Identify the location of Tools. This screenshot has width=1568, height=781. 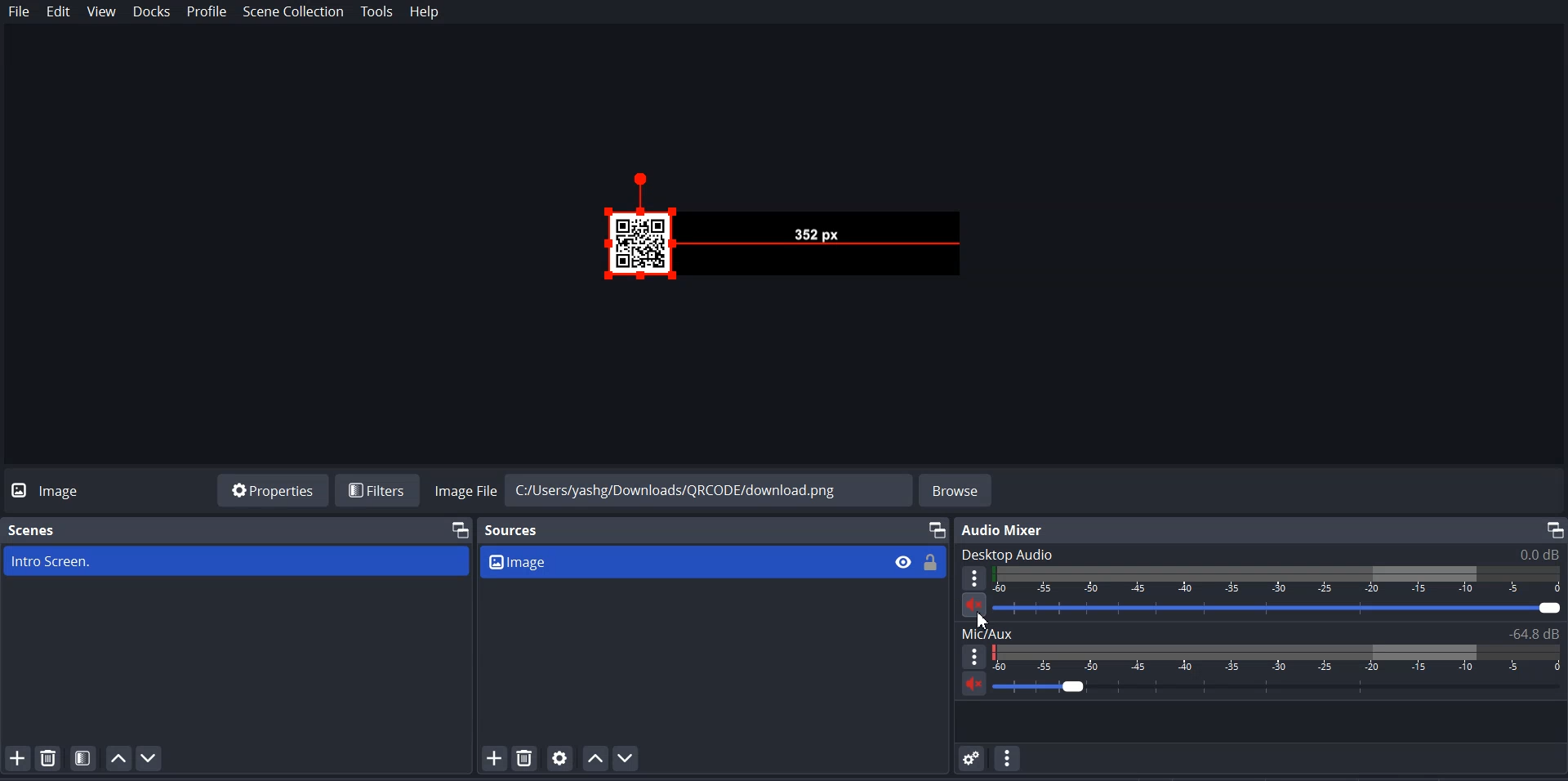
(379, 11).